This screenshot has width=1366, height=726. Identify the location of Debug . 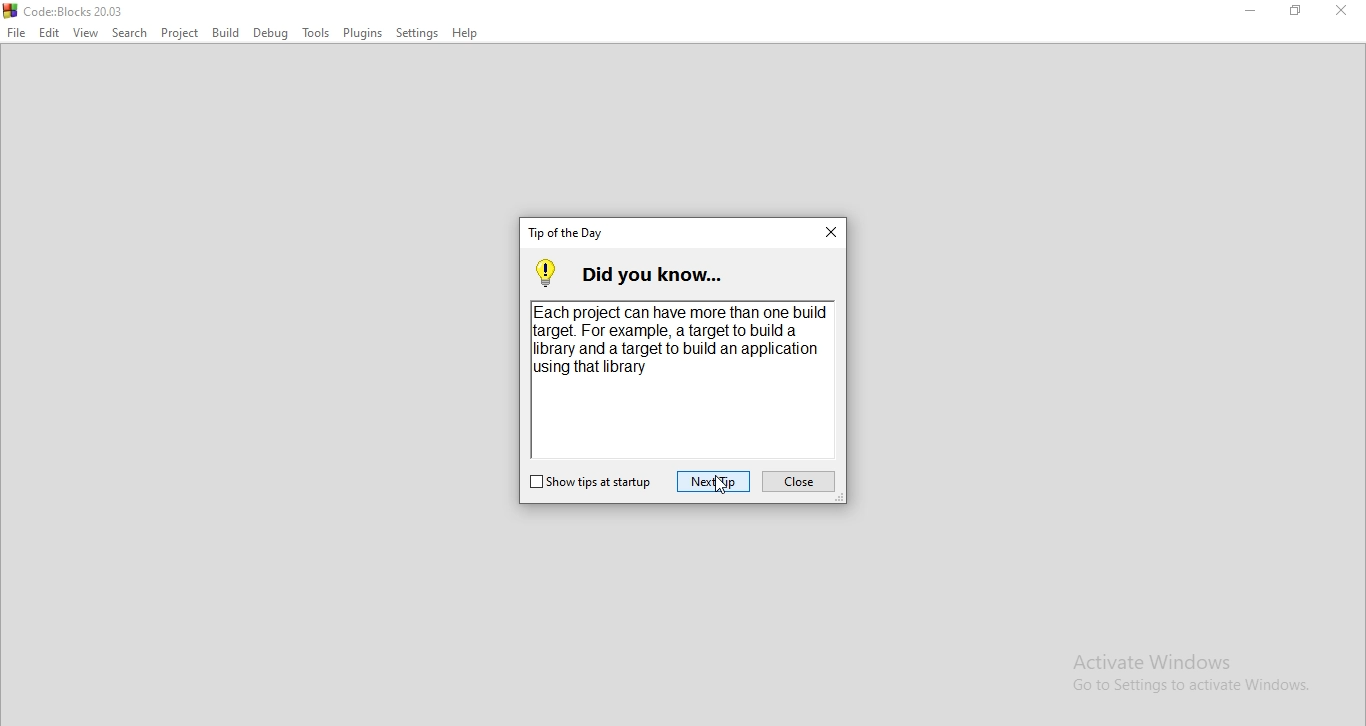
(273, 32).